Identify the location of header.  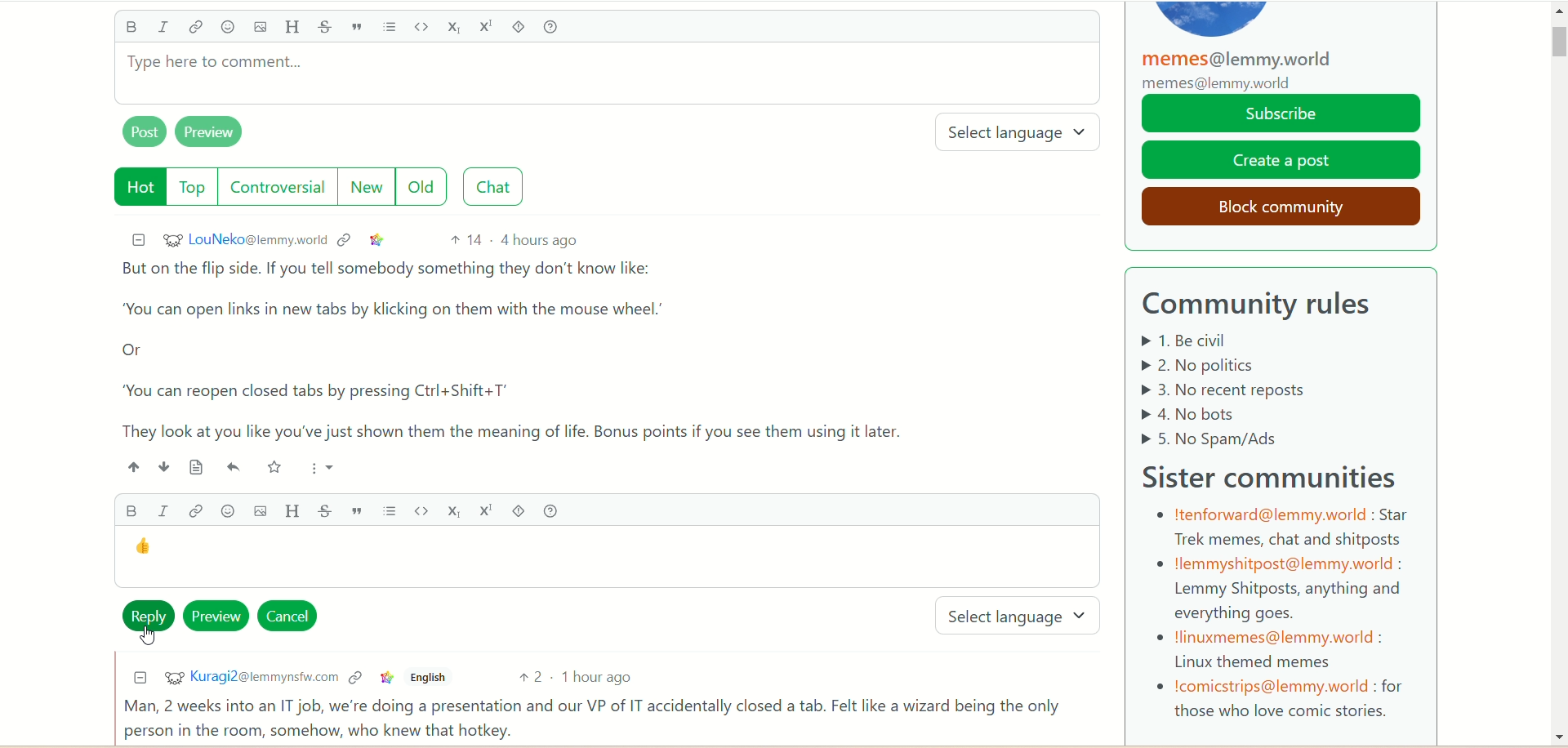
(292, 27).